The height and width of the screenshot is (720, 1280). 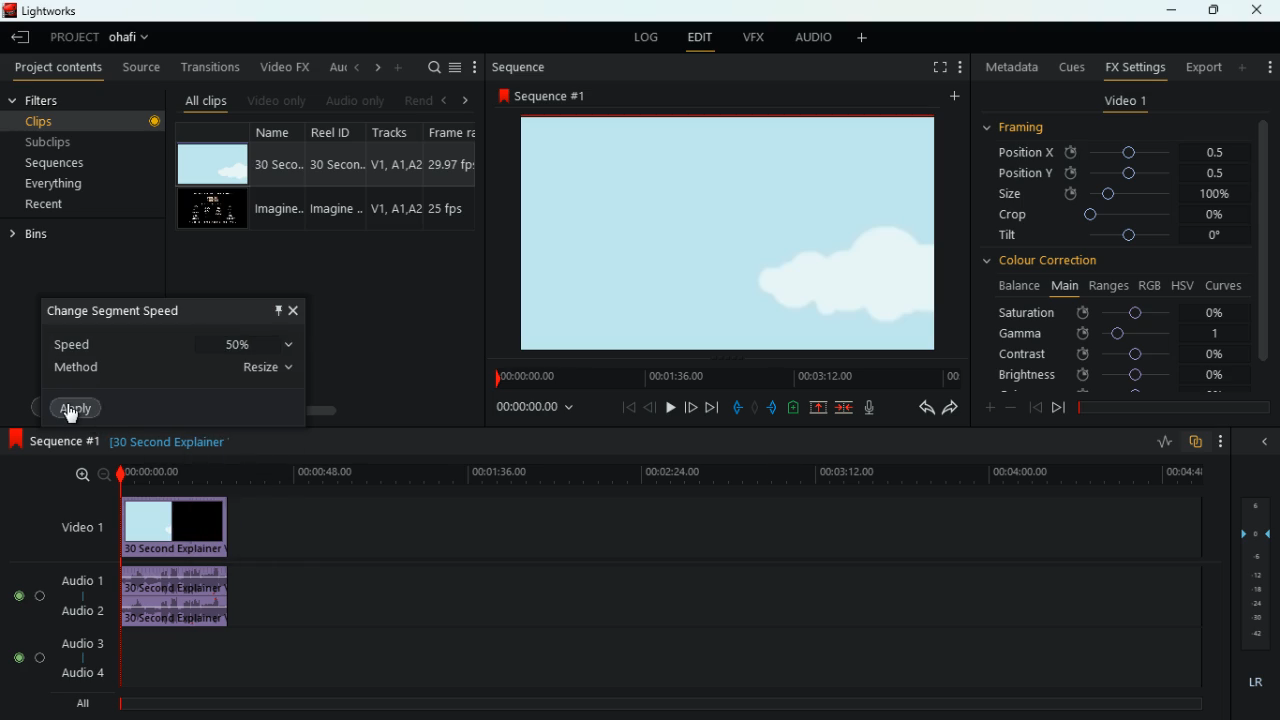 What do you see at coordinates (475, 66) in the screenshot?
I see `more` at bounding box center [475, 66].